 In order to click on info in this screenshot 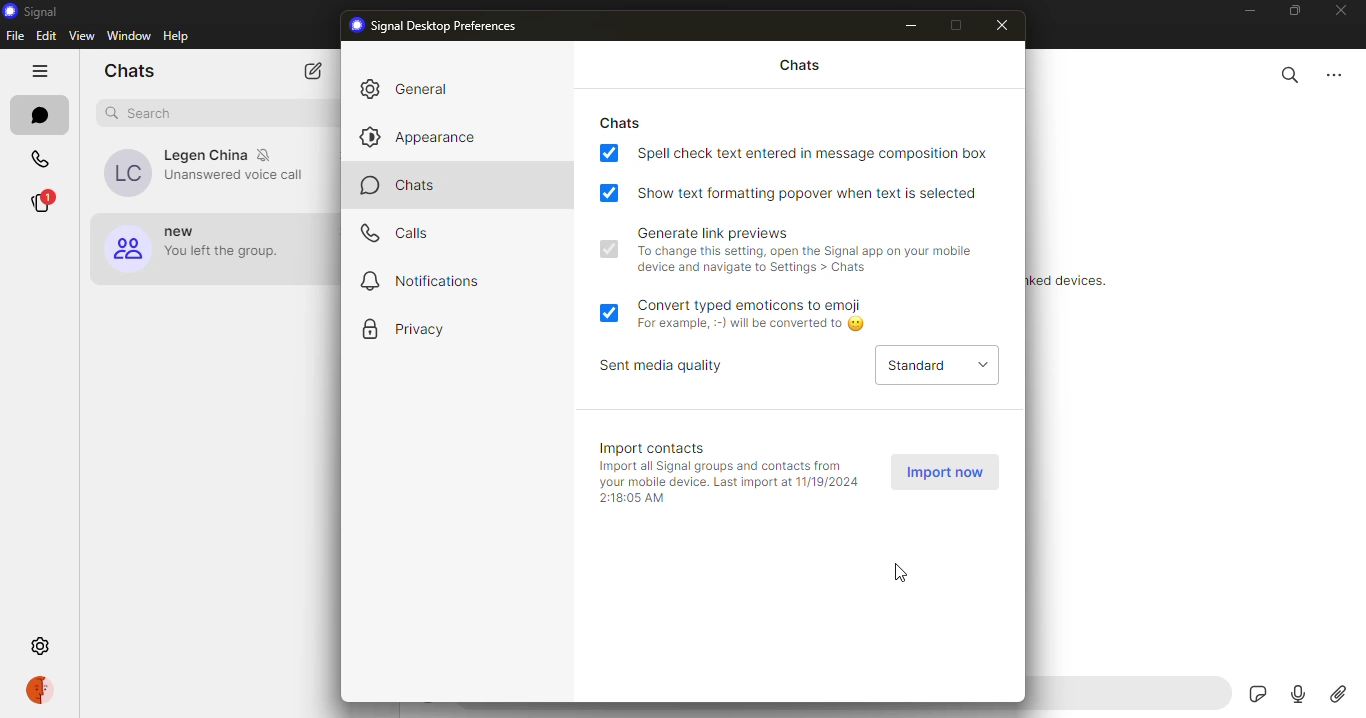, I will do `click(804, 260)`.